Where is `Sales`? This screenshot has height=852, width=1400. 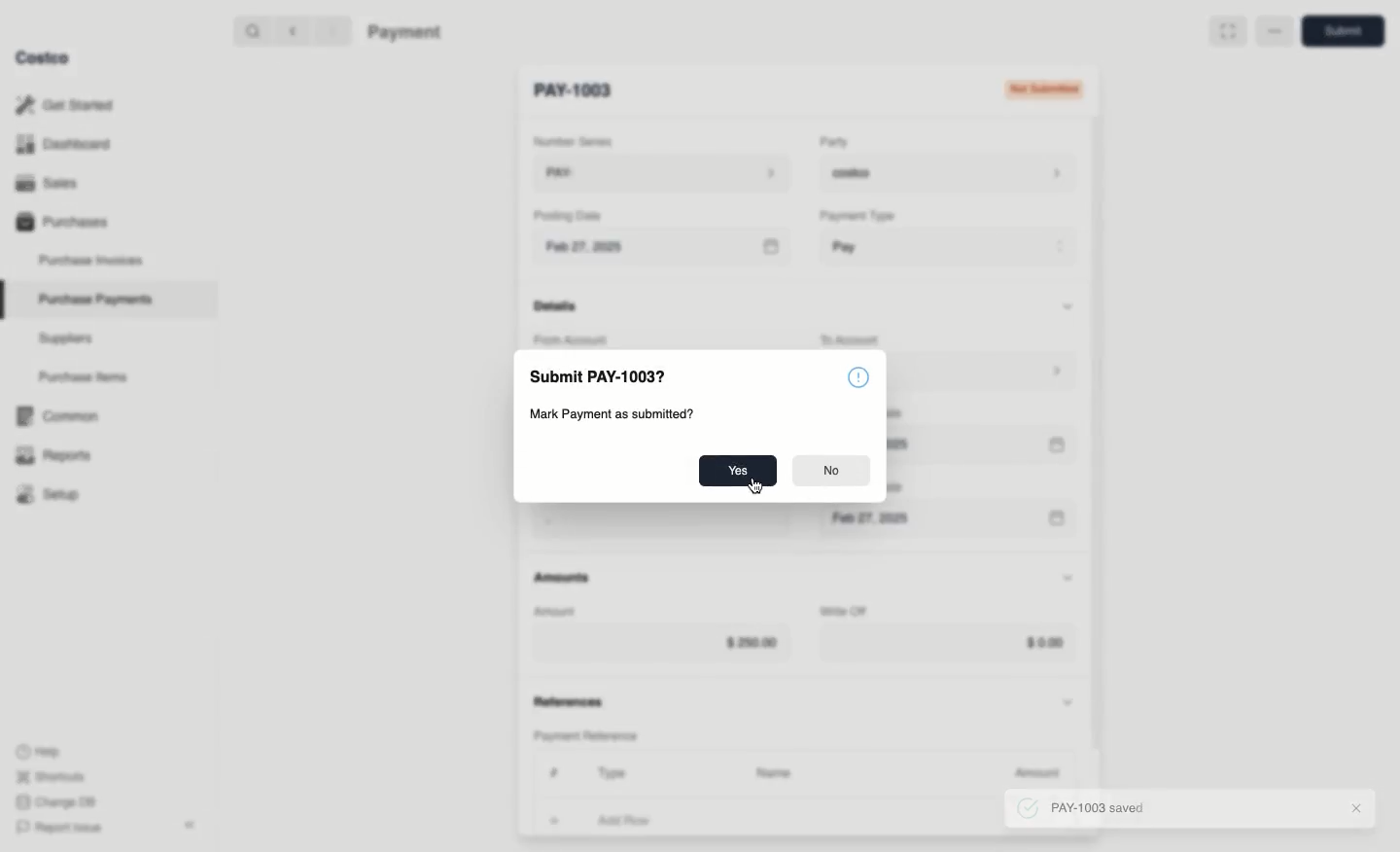 Sales is located at coordinates (53, 183).